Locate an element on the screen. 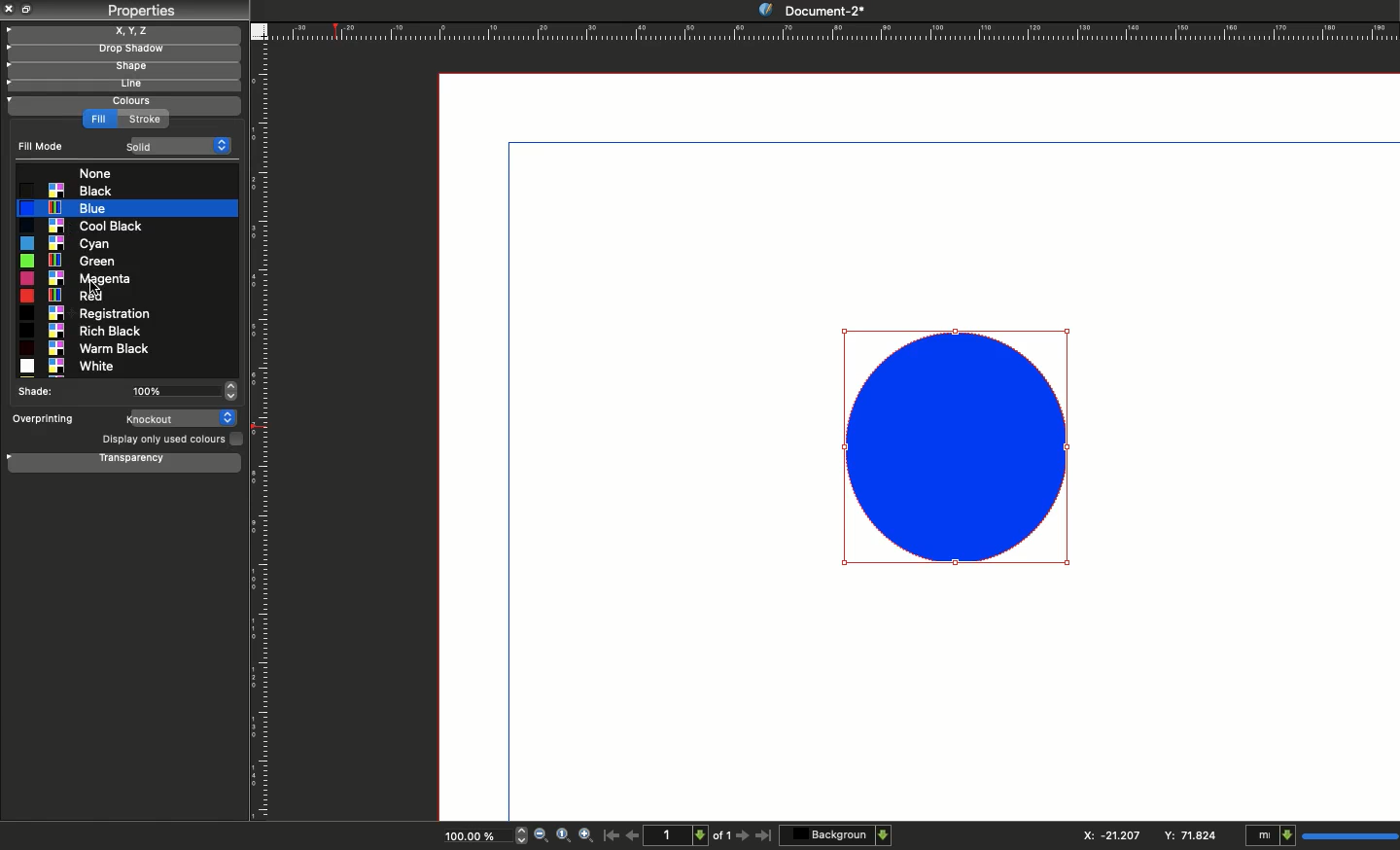  zoom in and out is located at coordinates (517, 834).